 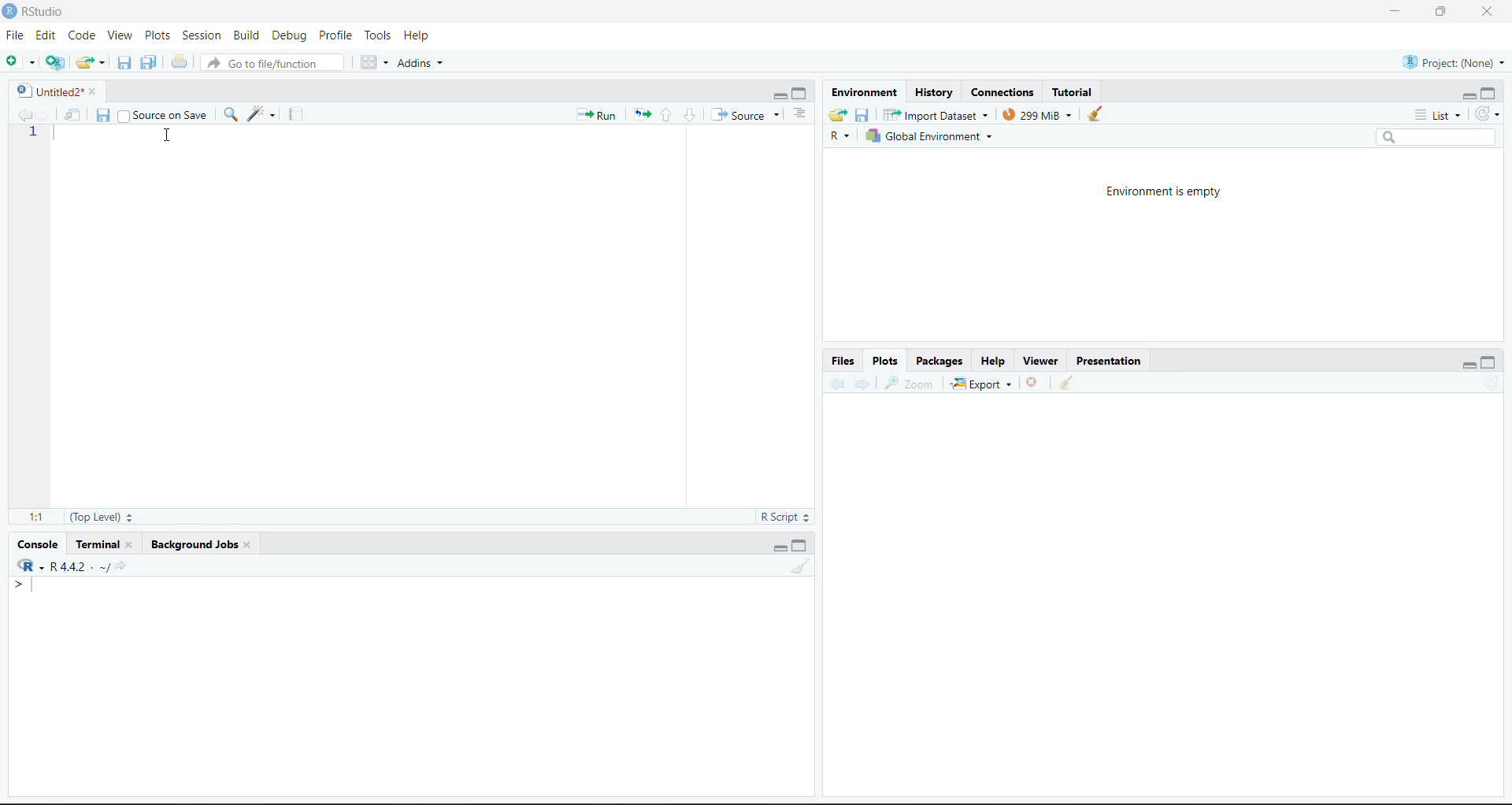 What do you see at coordinates (1039, 114) in the screenshot?
I see `299 MiB` at bounding box center [1039, 114].